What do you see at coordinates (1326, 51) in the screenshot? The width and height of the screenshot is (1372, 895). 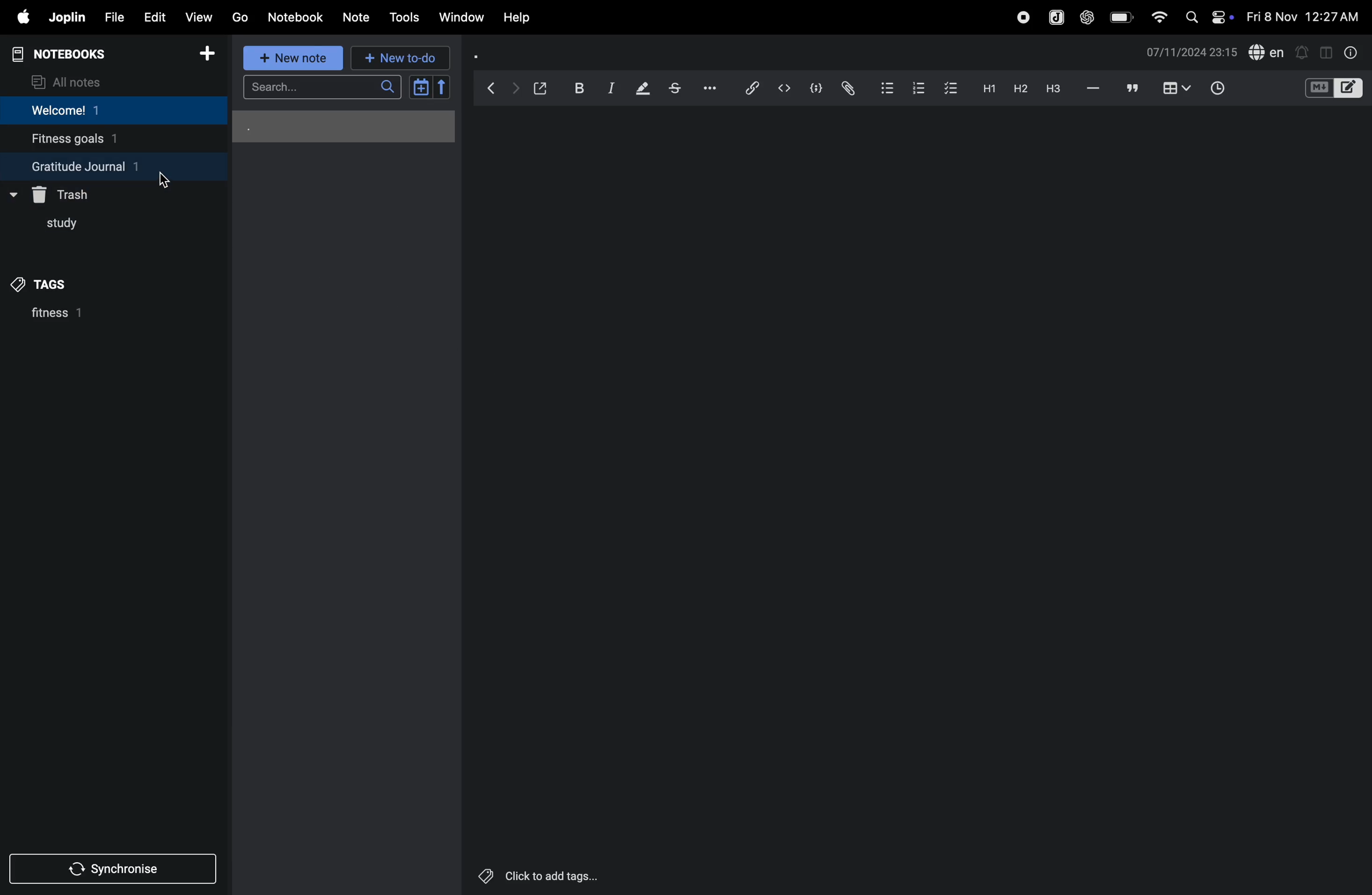 I see `toogle window` at bounding box center [1326, 51].